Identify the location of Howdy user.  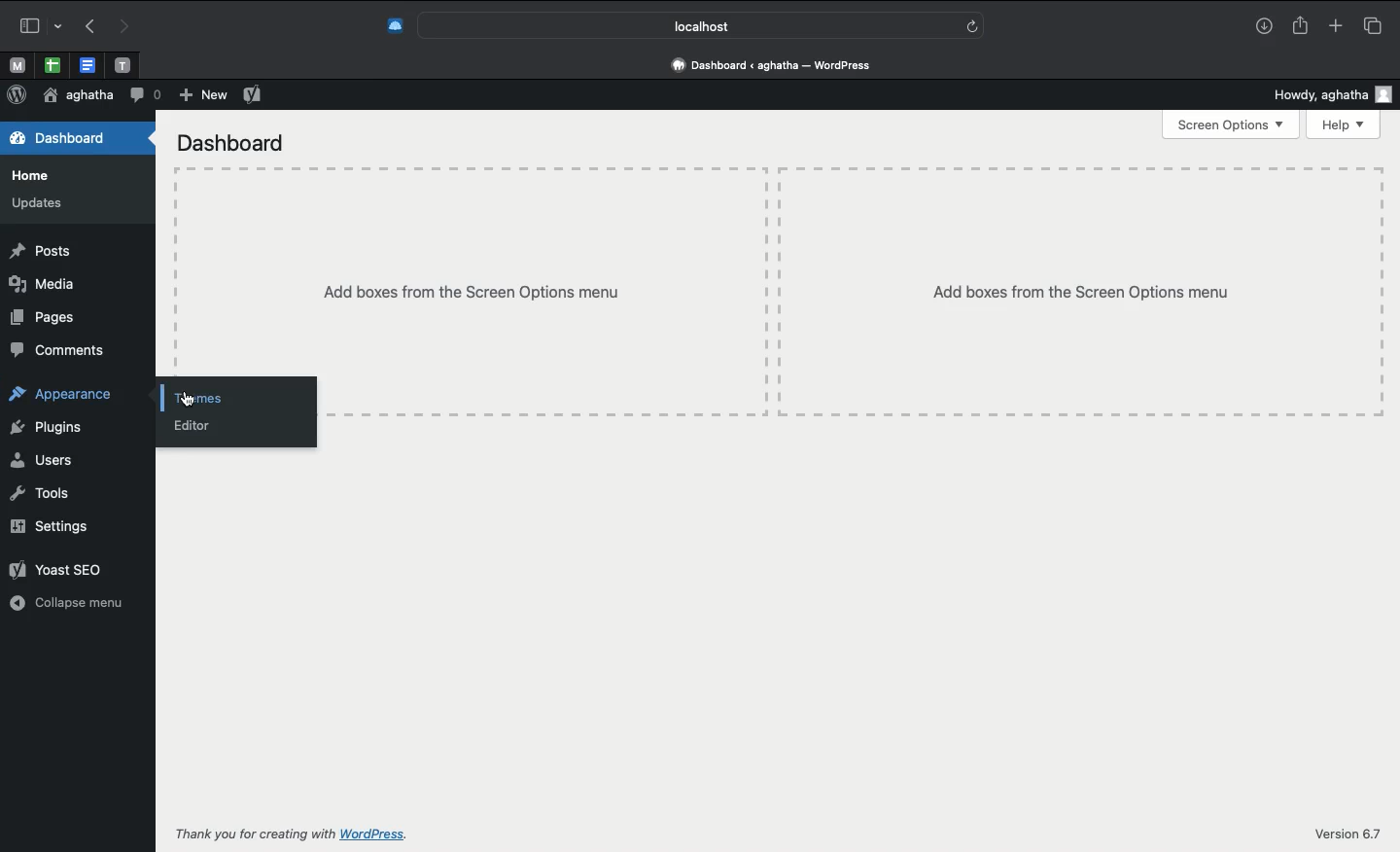
(1335, 94).